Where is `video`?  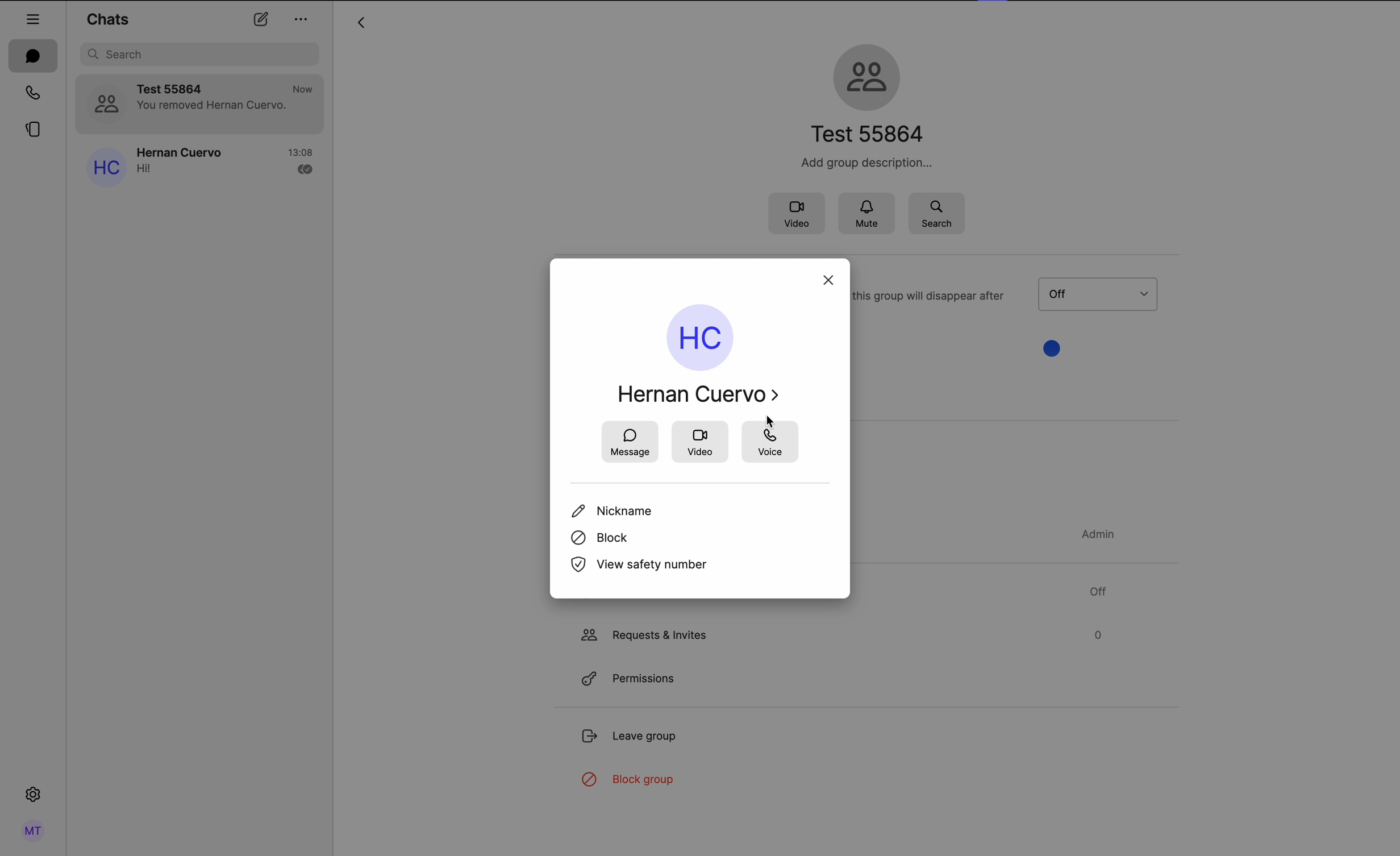
video is located at coordinates (797, 212).